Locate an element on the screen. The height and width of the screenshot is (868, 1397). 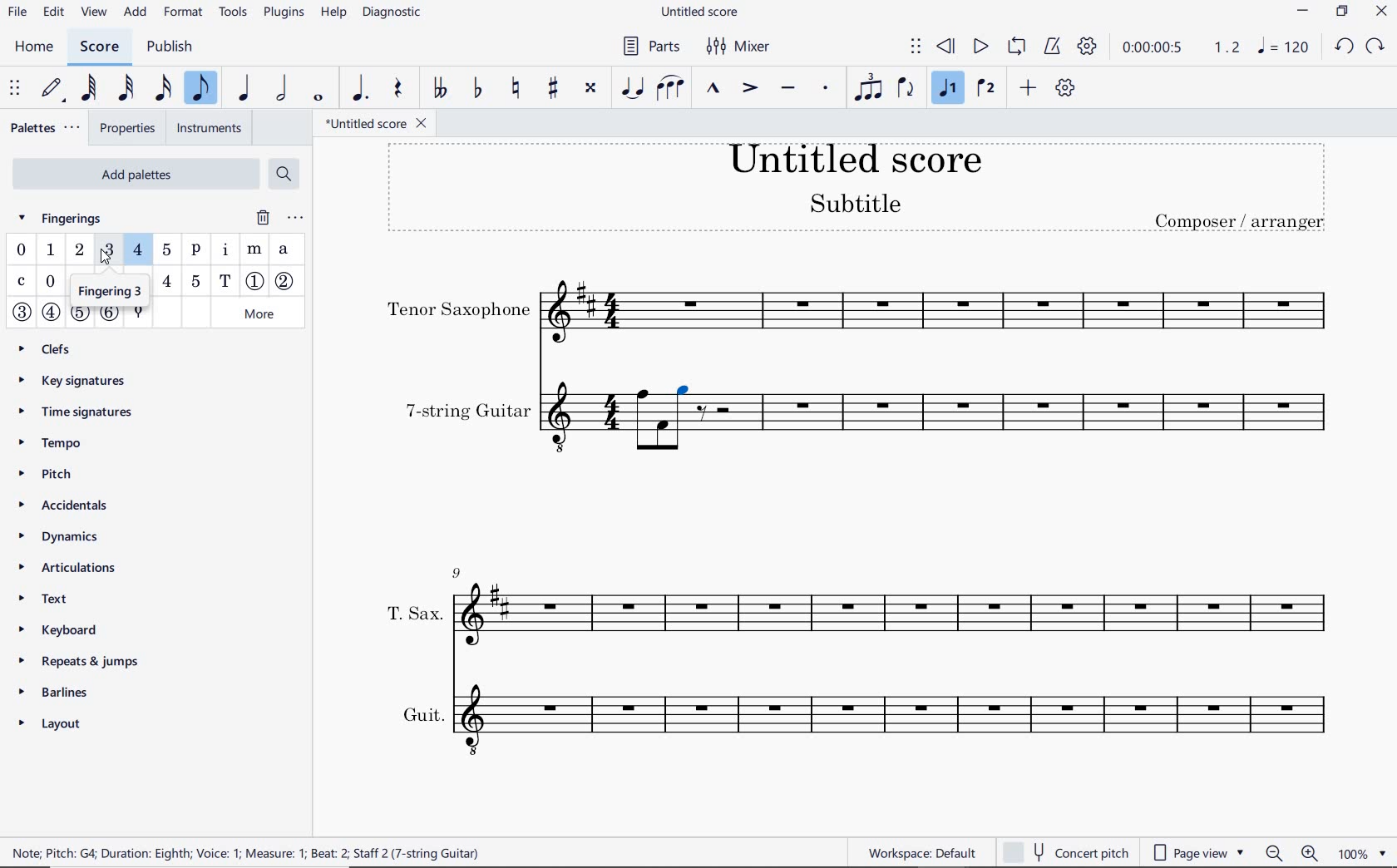
REST is located at coordinates (399, 89).